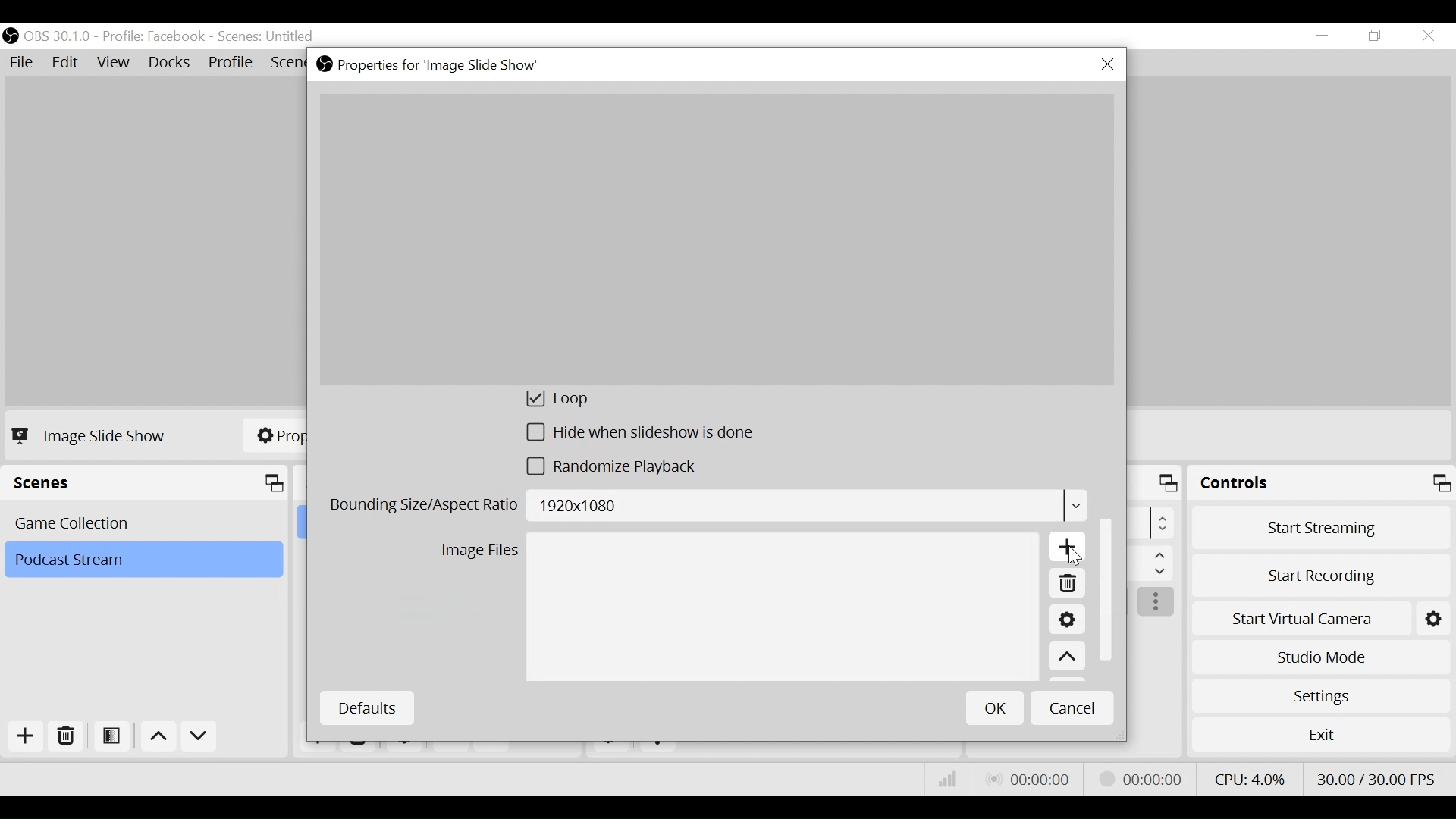 The image size is (1456, 819). Describe the element at coordinates (948, 780) in the screenshot. I see `Bitrate` at that location.